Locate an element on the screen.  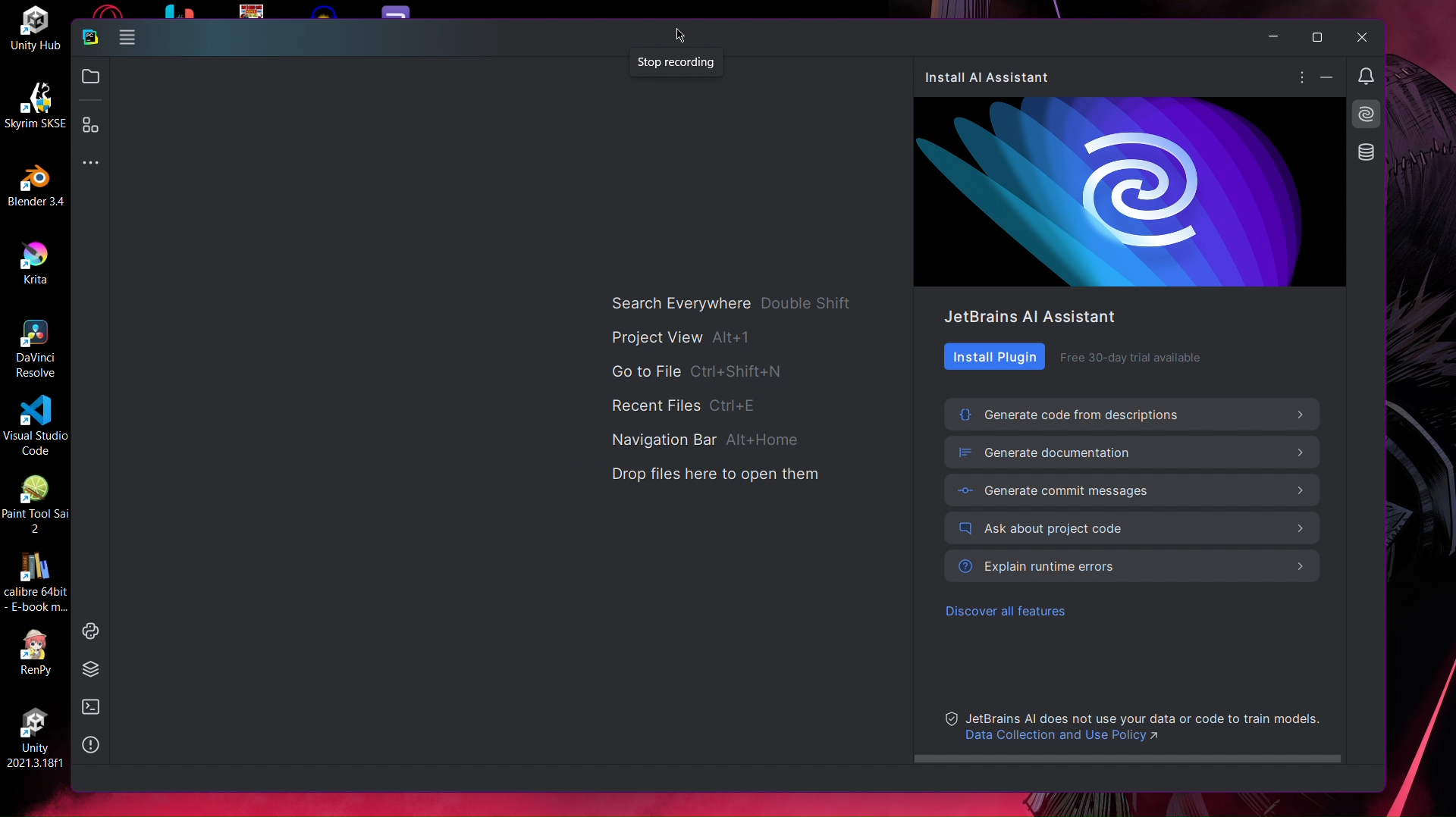
Krita is located at coordinates (35, 262).